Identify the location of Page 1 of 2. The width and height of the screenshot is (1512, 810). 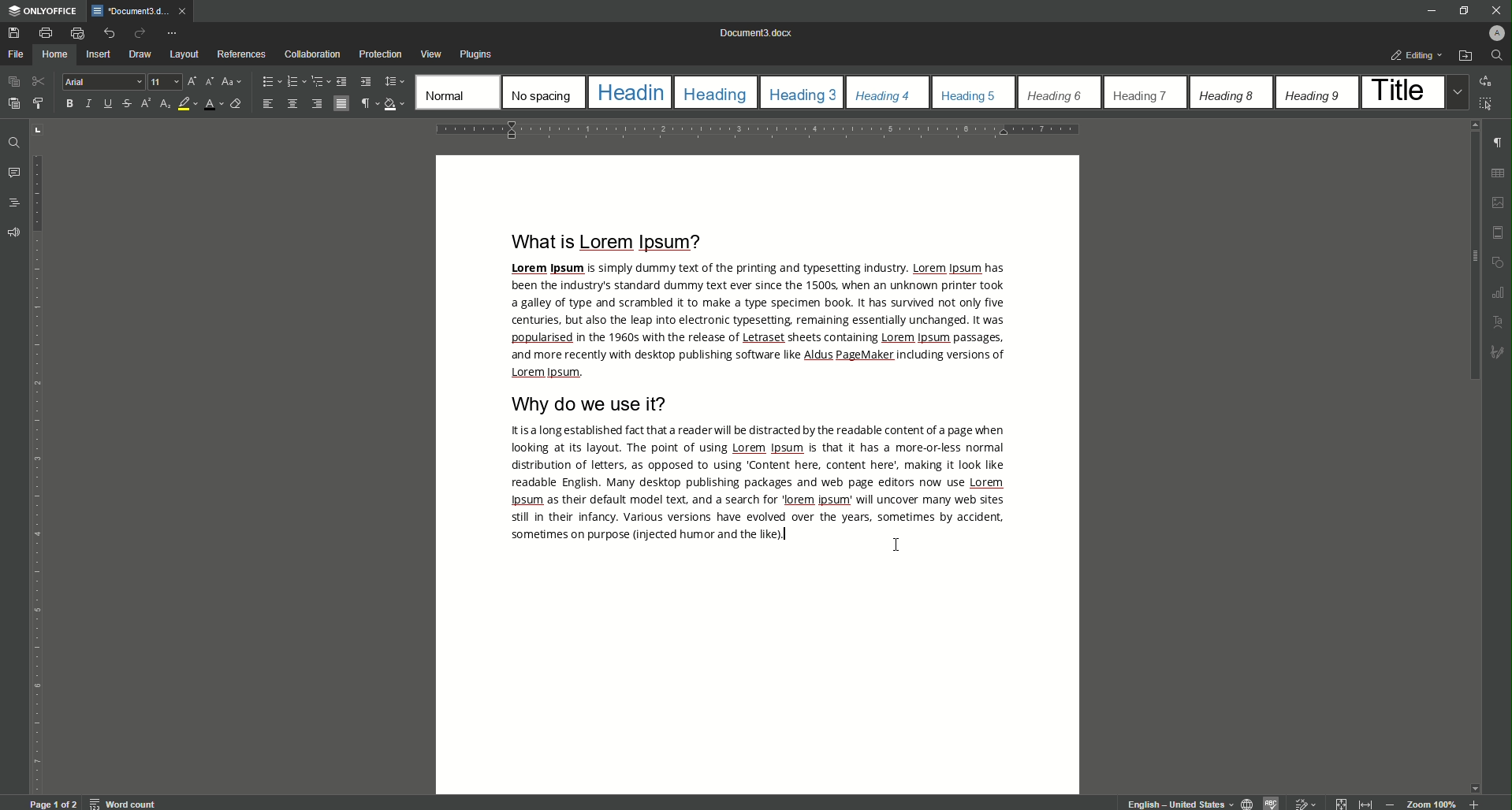
(51, 804).